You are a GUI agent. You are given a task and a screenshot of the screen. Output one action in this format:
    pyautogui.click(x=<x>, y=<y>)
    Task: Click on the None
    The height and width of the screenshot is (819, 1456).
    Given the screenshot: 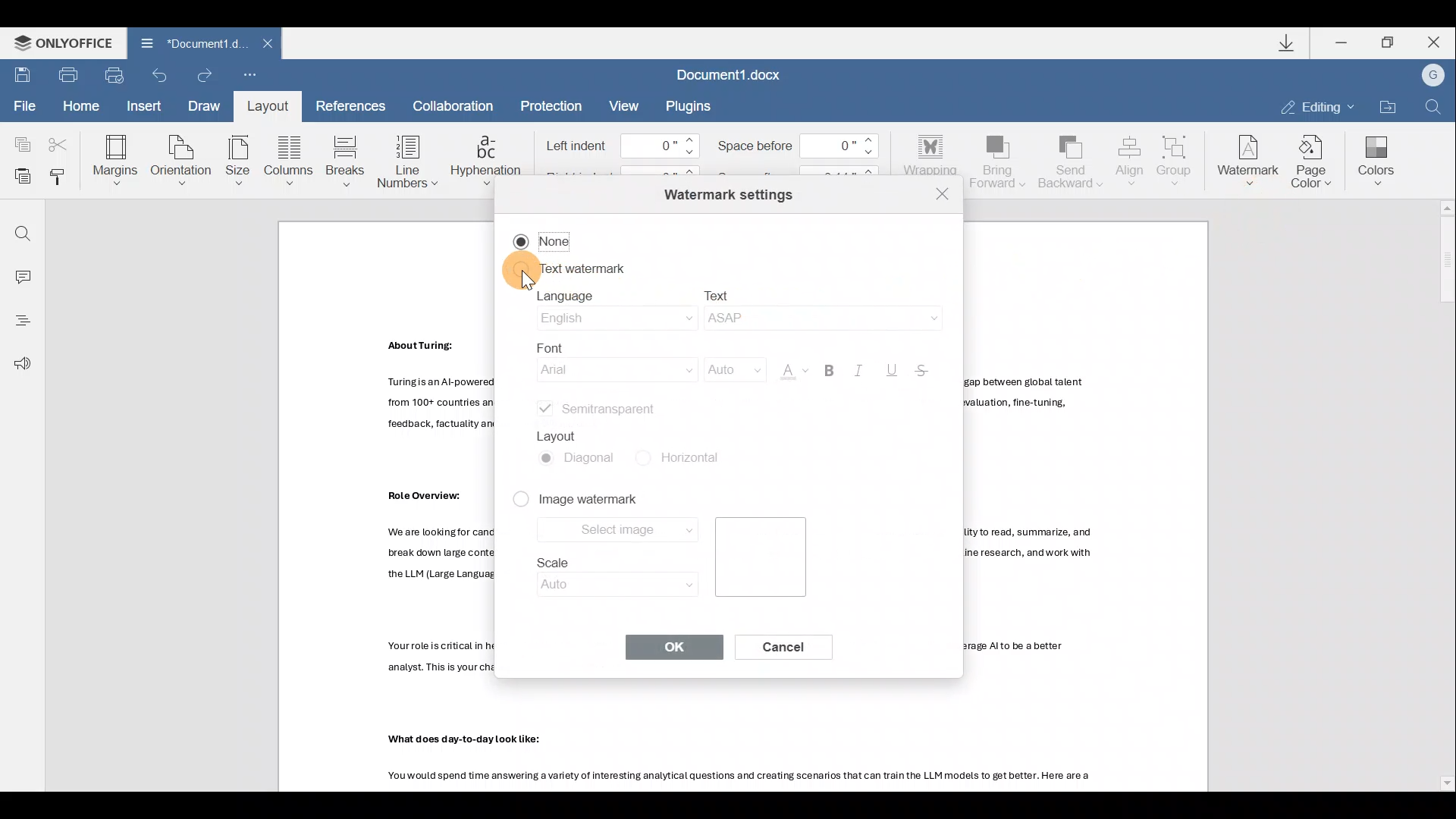 What is the action you would take?
    pyautogui.click(x=554, y=238)
    